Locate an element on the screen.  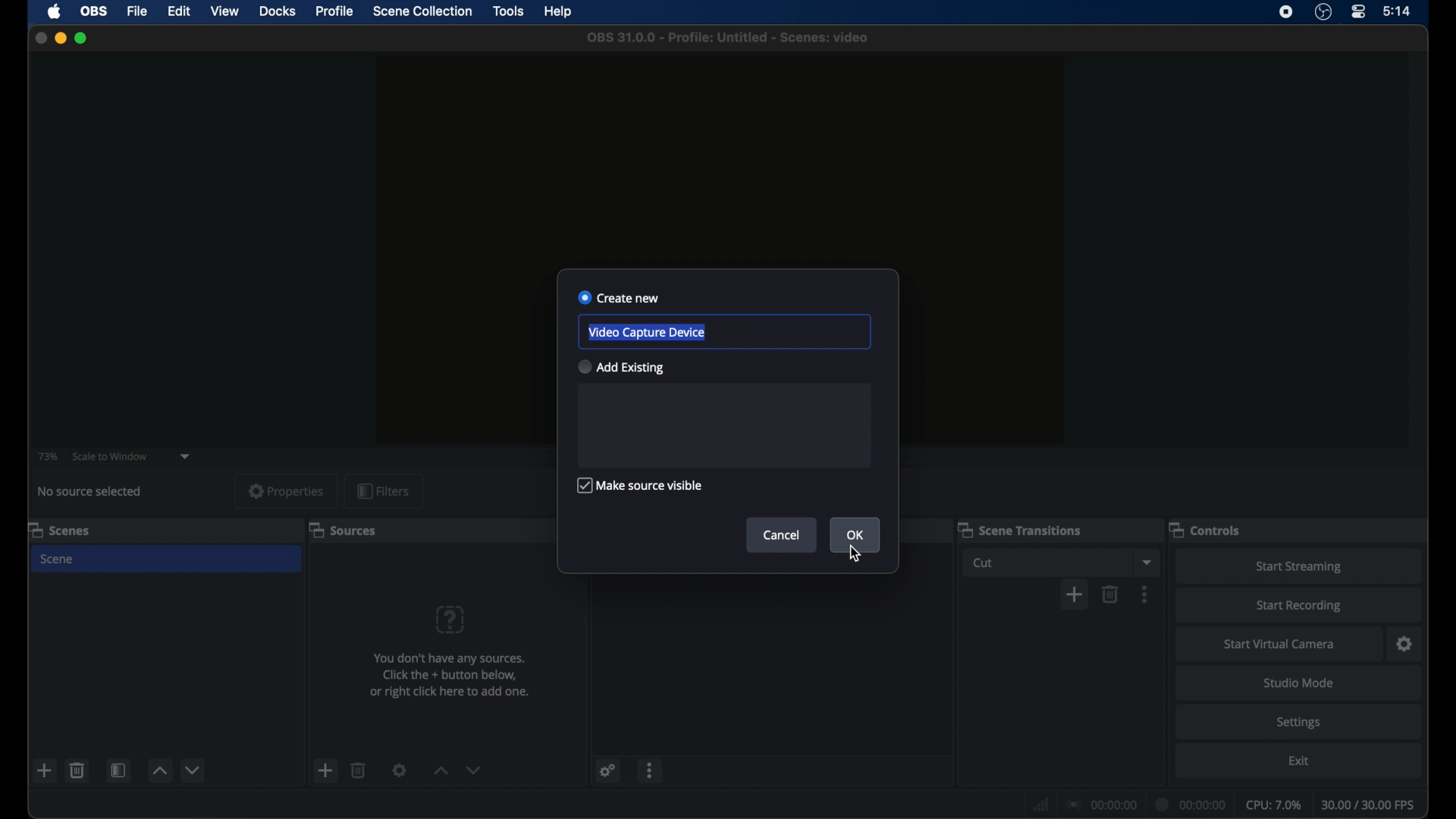
scene filter is located at coordinates (118, 770).